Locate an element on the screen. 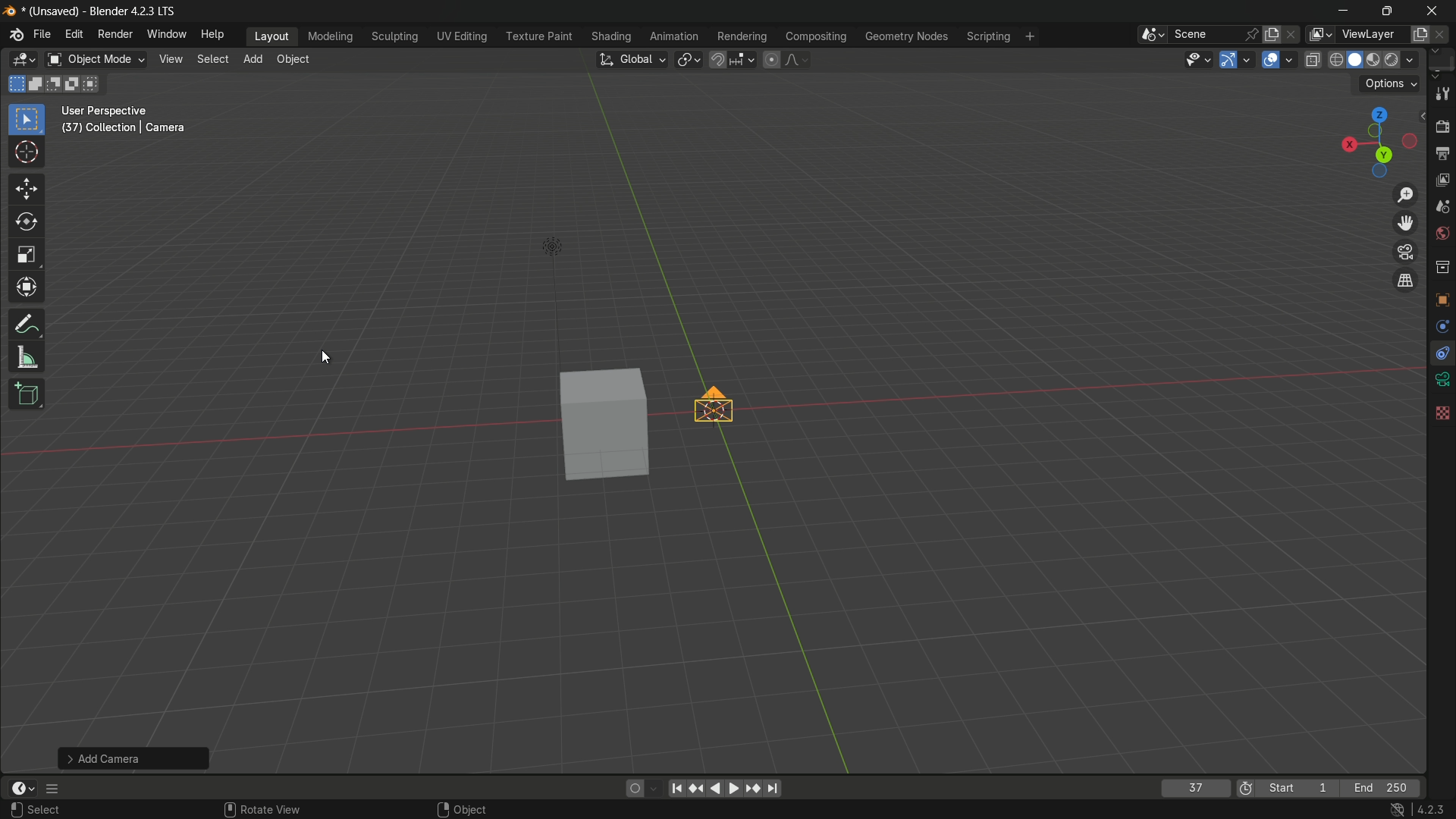 Image resolution: width=1456 pixels, height=819 pixels. snap is located at coordinates (734, 59).